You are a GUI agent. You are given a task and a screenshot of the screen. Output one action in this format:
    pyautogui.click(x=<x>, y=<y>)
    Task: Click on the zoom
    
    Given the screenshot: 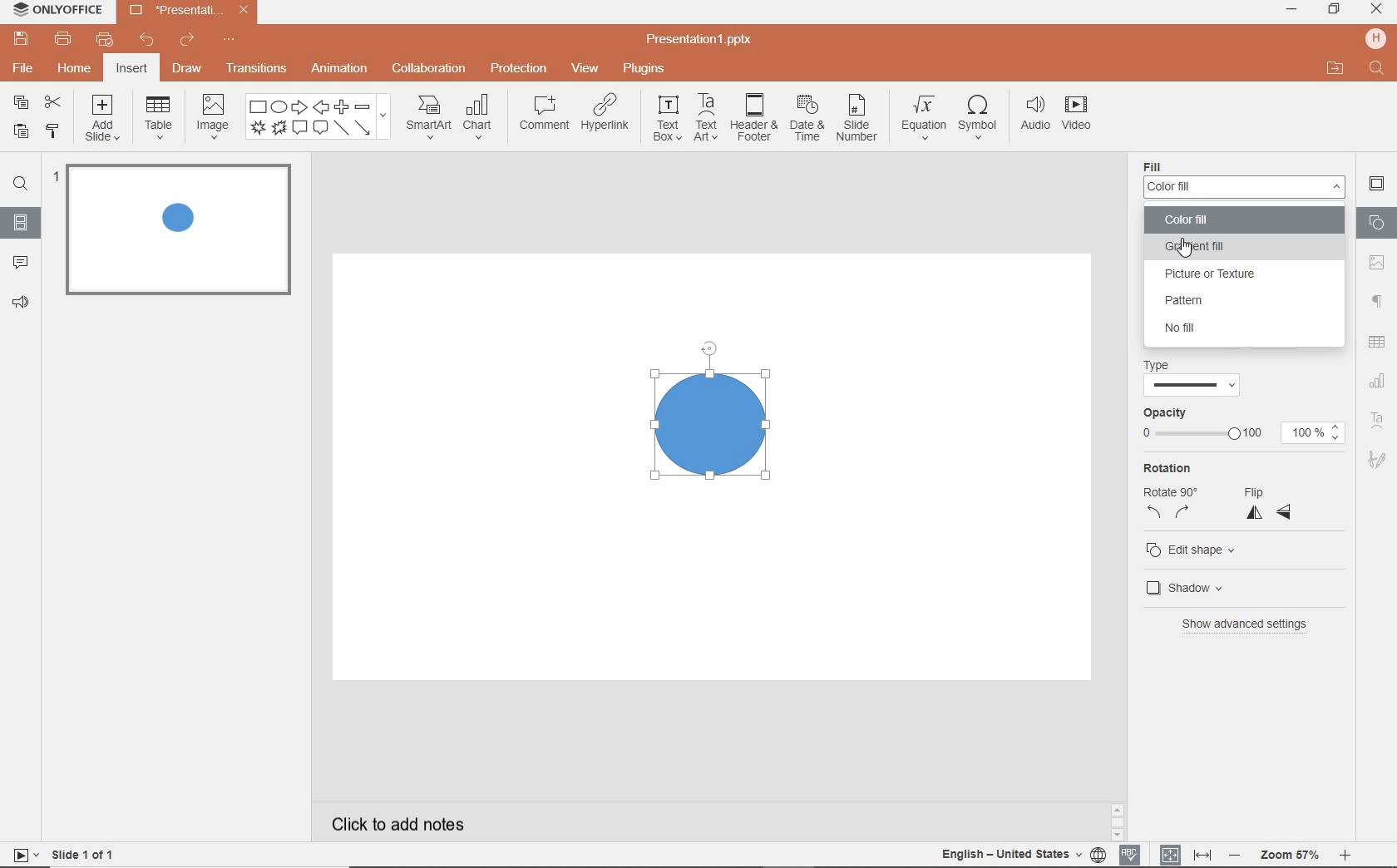 What is the action you would take?
    pyautogui.click(x=1290, y=856)
    